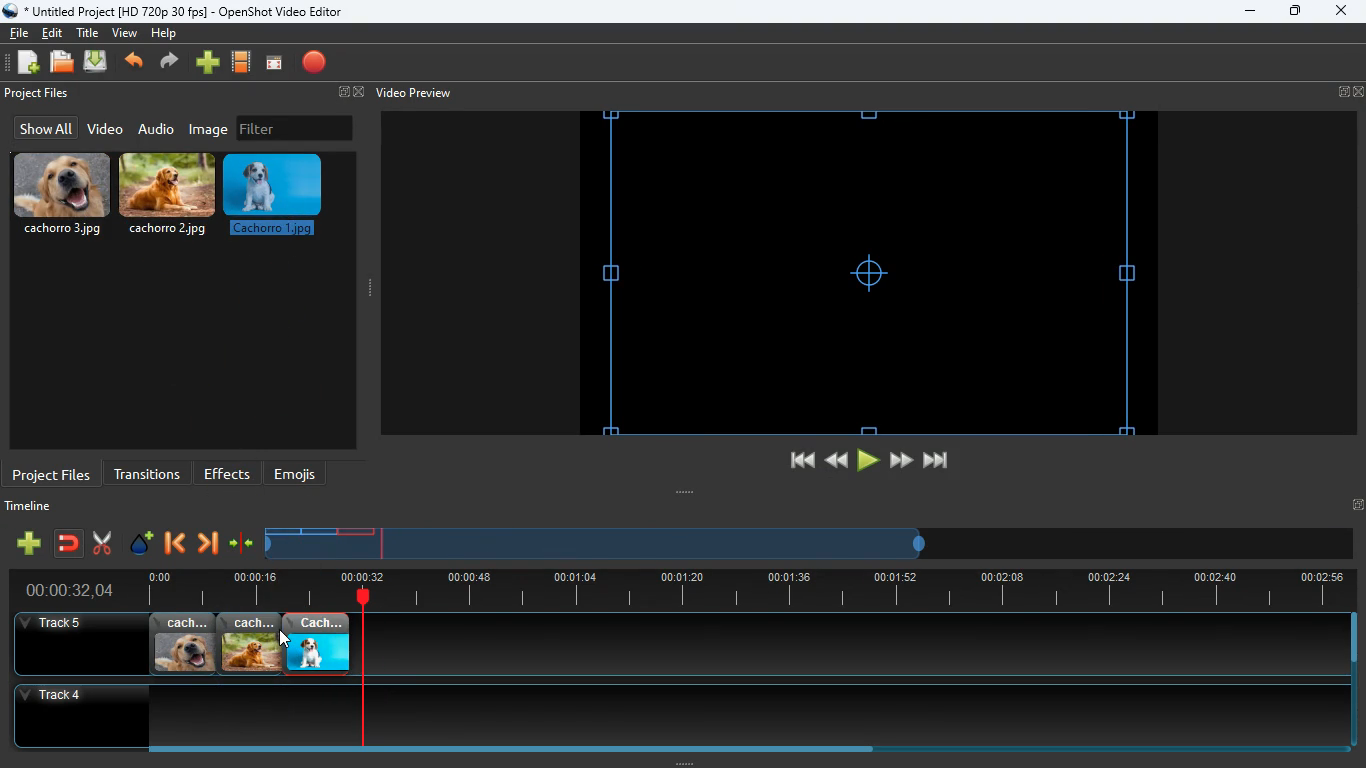 The image size is (1366, 768). Describe the element at coordinates (1351, 92) in the screenshot. I see `fullscreen` at that location.